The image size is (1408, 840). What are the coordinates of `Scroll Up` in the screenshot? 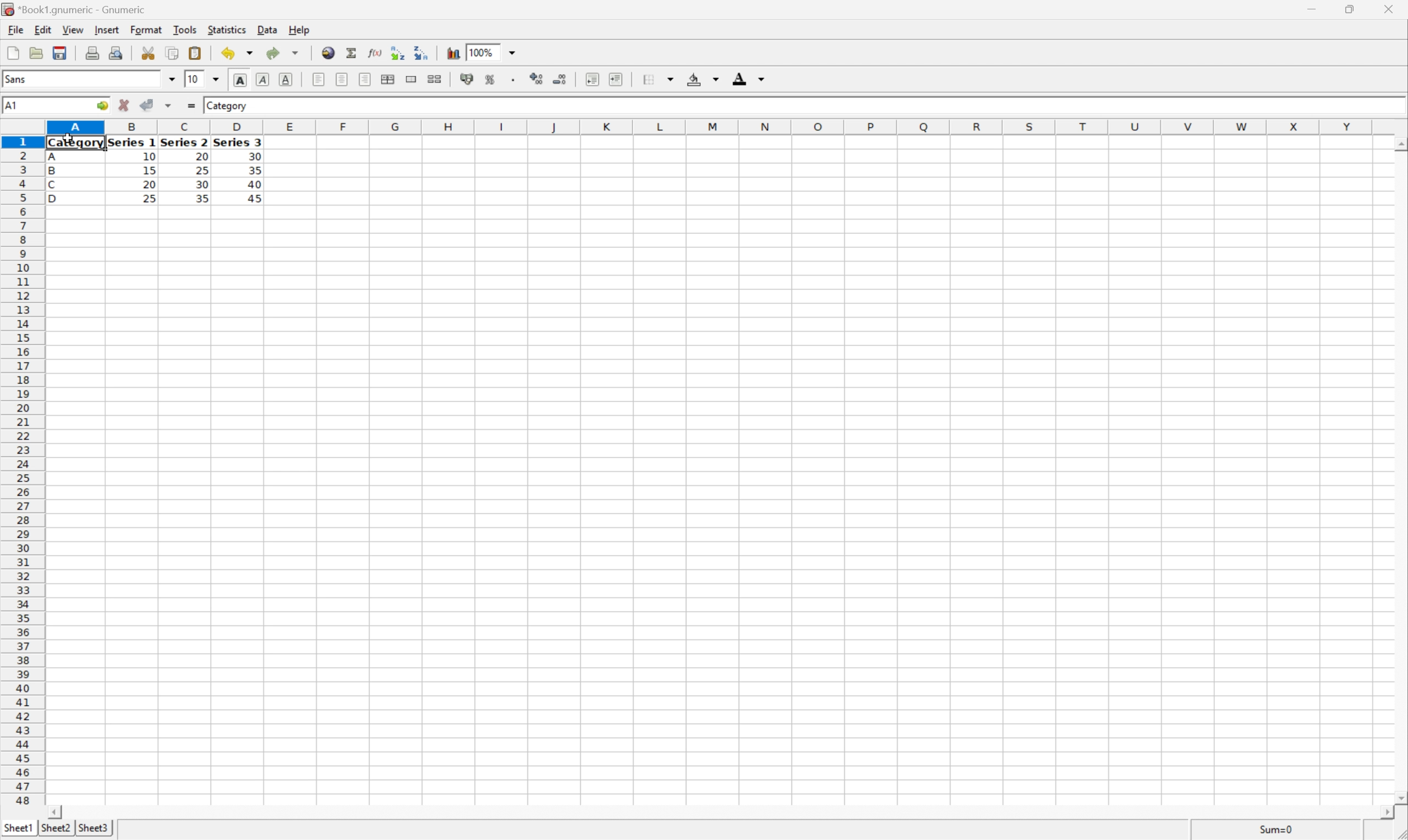 It's located at (1398, 143).